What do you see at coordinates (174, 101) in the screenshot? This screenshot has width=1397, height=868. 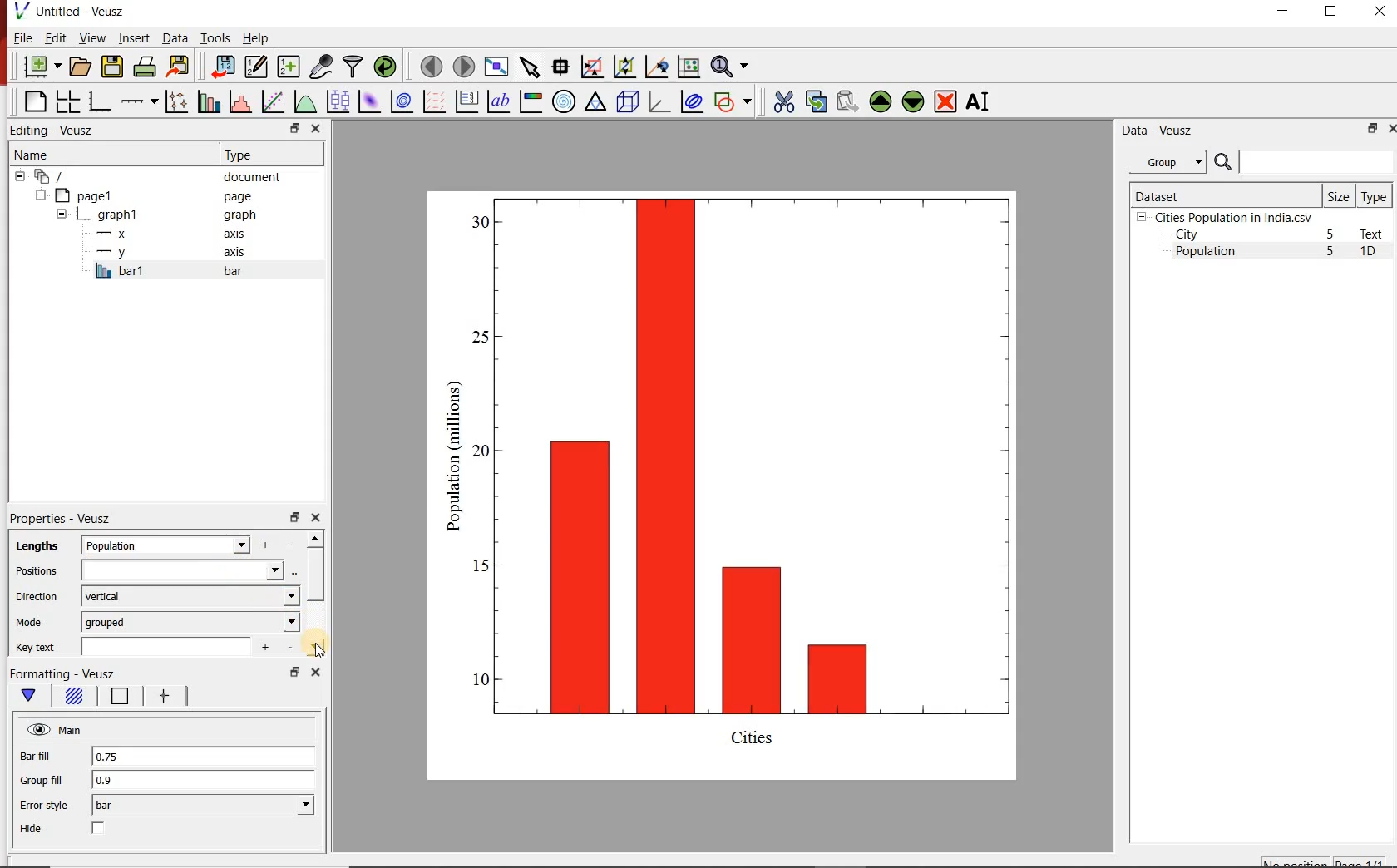 I see `plot points with lines and errorbars` at bounding box center [174, 101].